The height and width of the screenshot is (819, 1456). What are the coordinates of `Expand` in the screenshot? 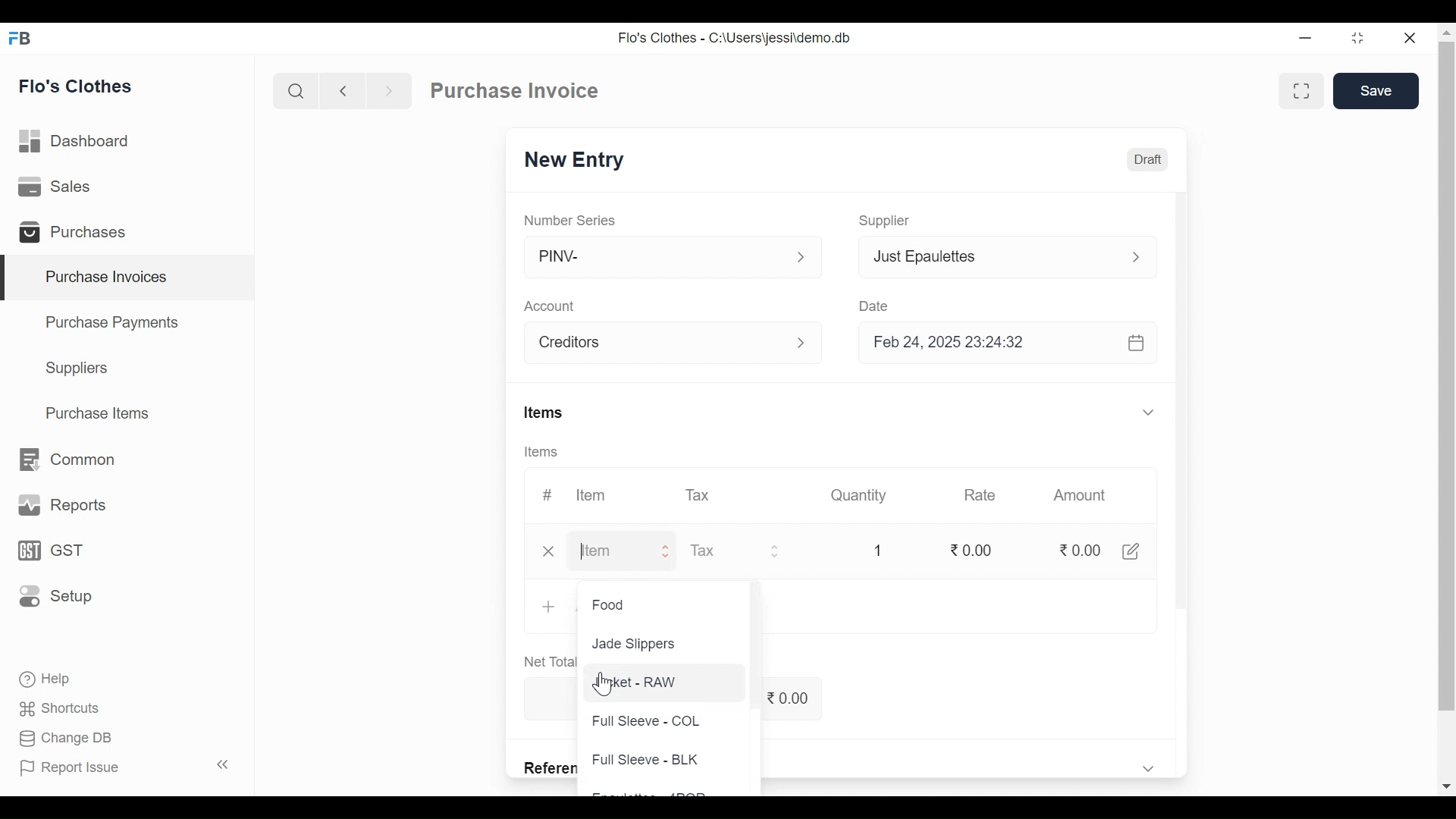 It's located at (1149, 412).